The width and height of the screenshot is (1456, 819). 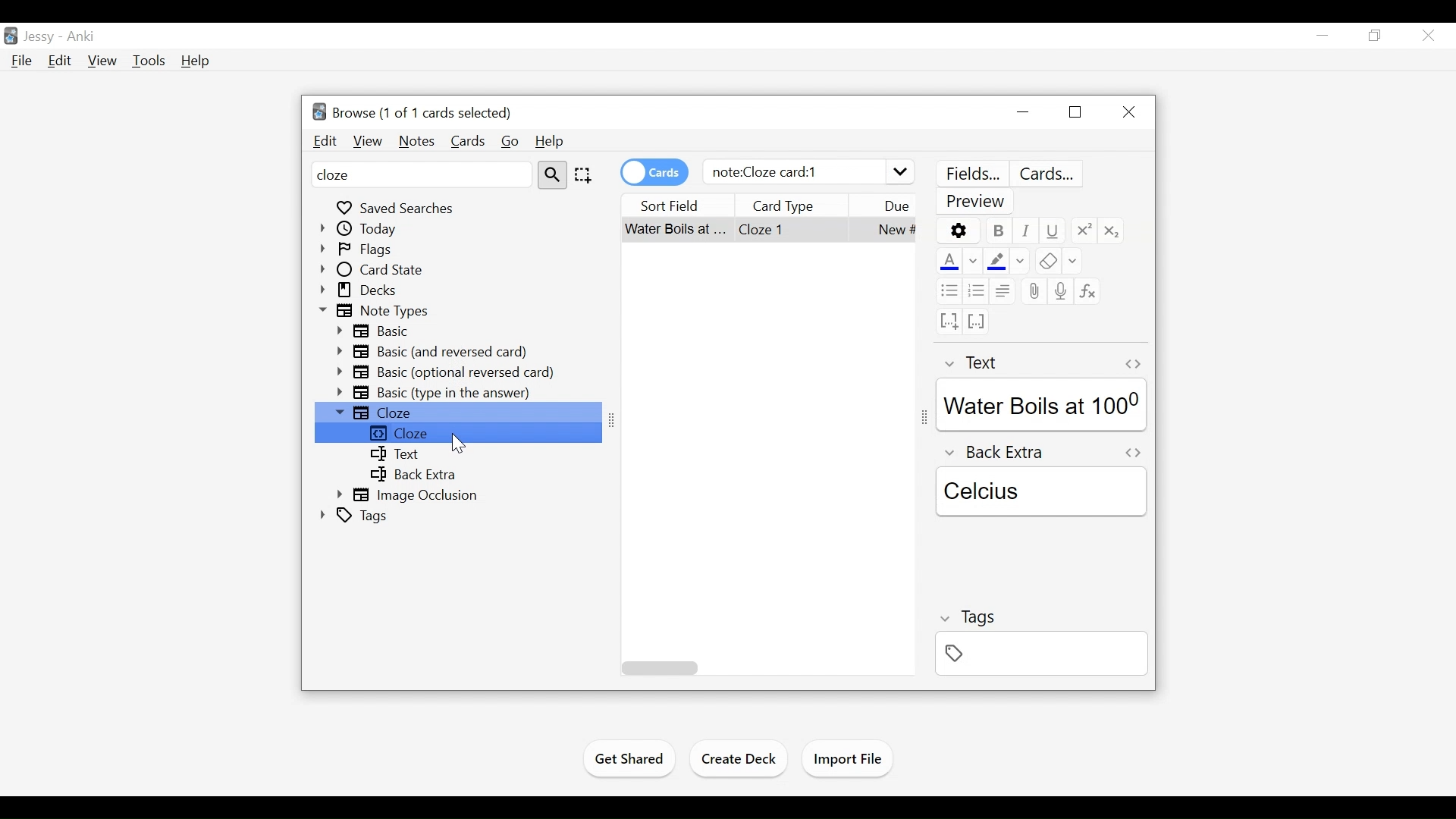 I want to click on Italics, so click(x=1027, y=231).